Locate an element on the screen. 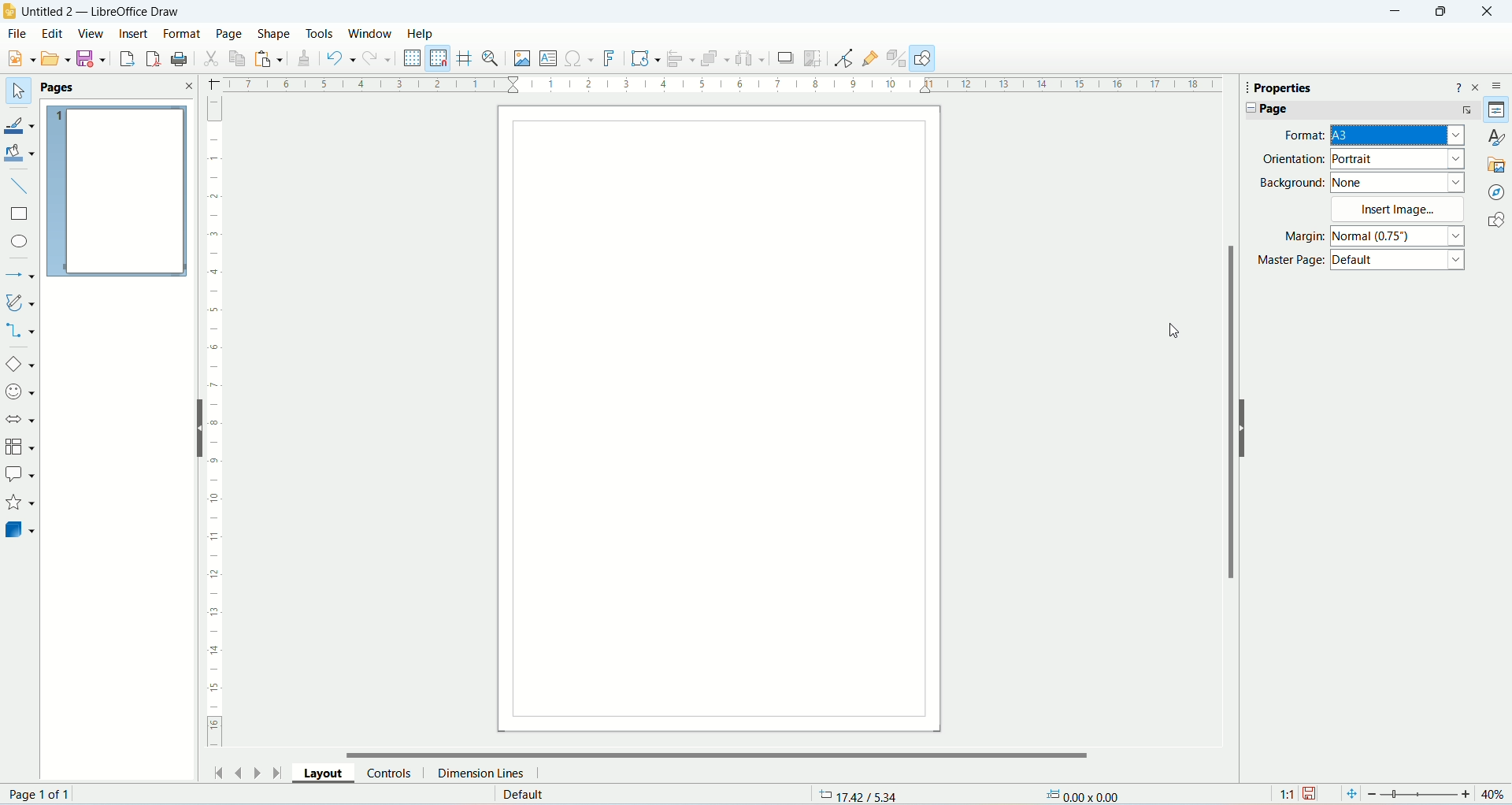 The width and height of the screenshot is (1512, 805). next page is located at coordinates (256, 772).